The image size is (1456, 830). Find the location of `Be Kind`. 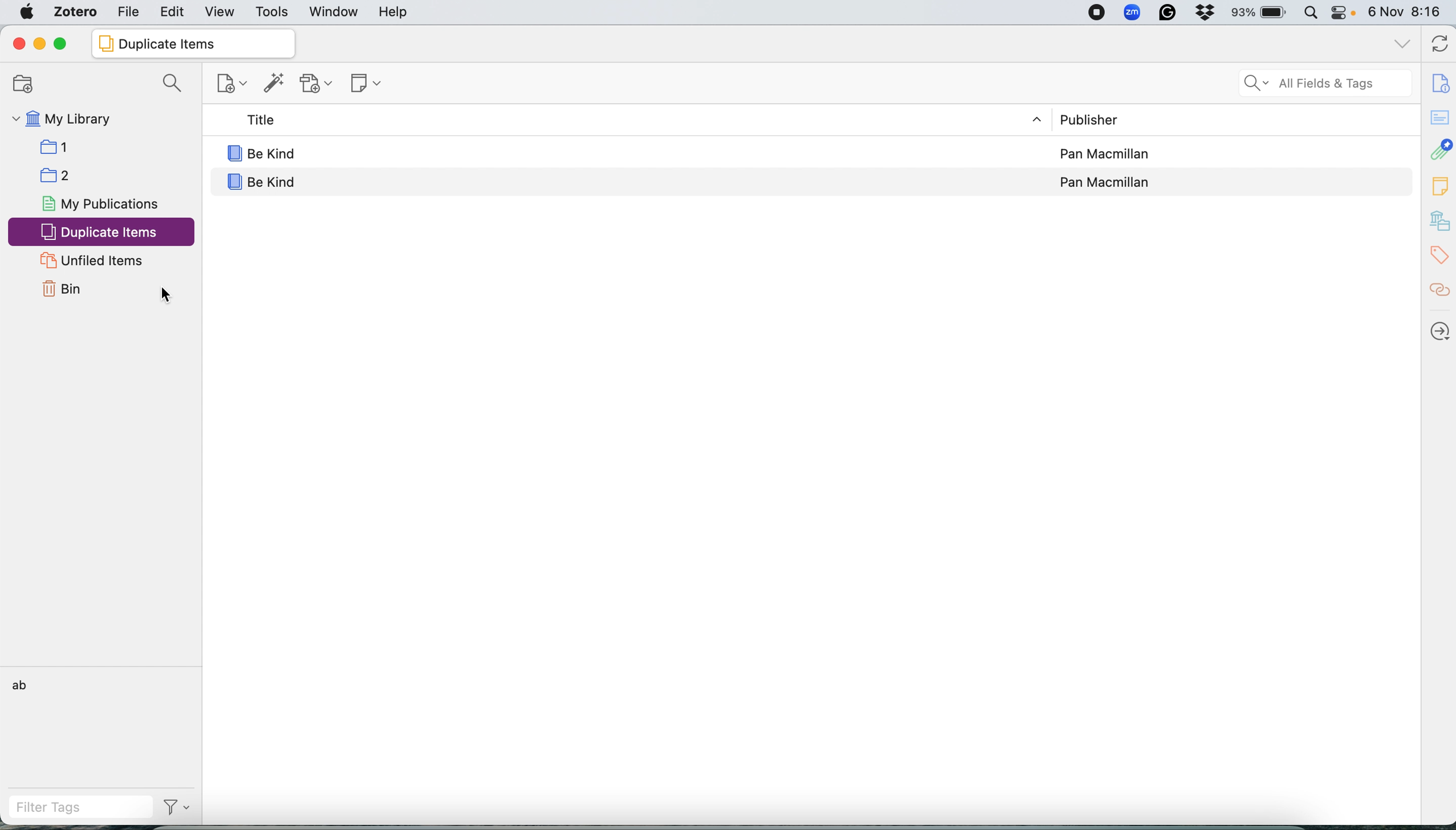

Be Kind is located at coordinates (613, 178).